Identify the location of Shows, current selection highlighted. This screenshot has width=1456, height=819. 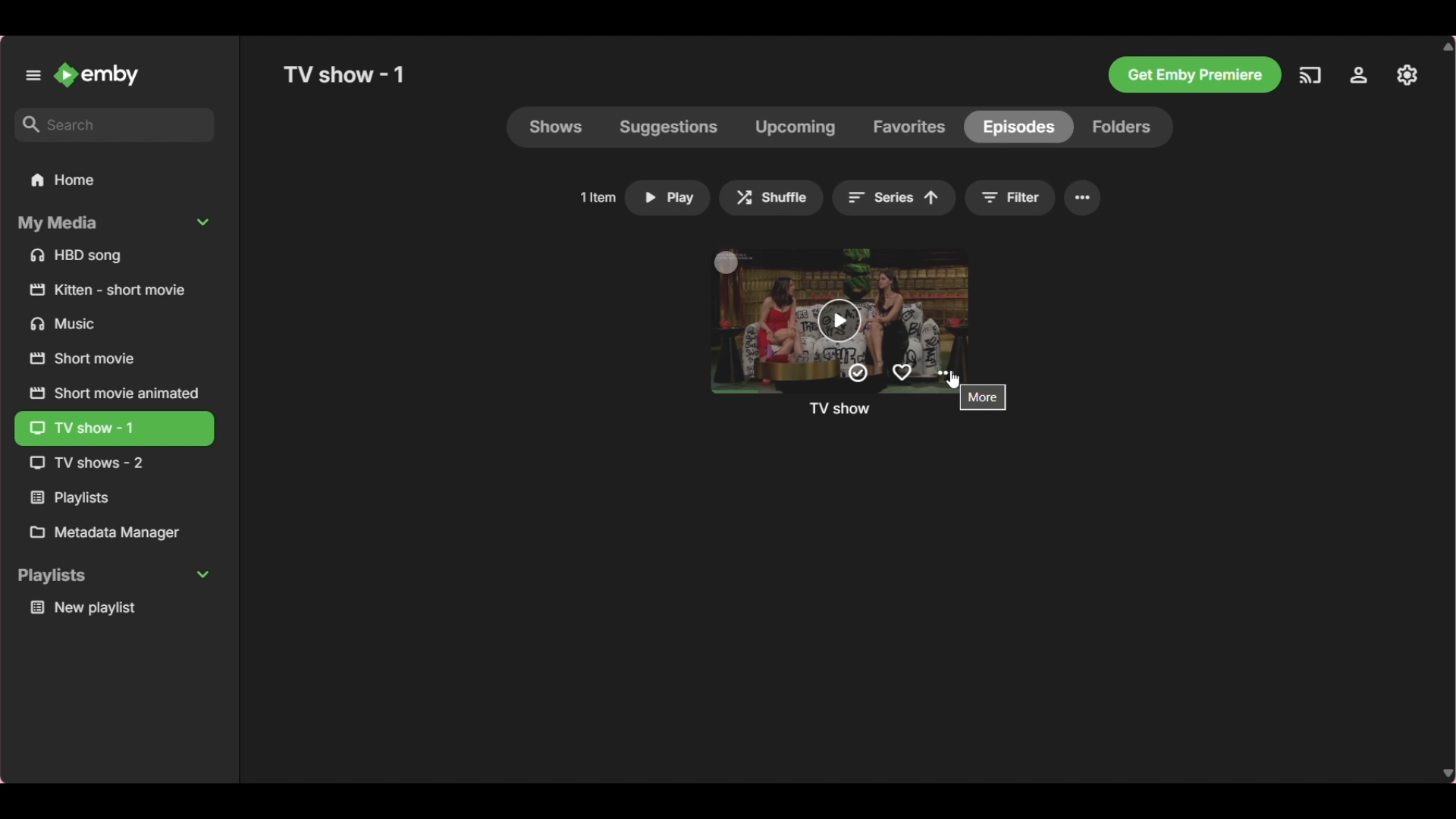
(557, 127).